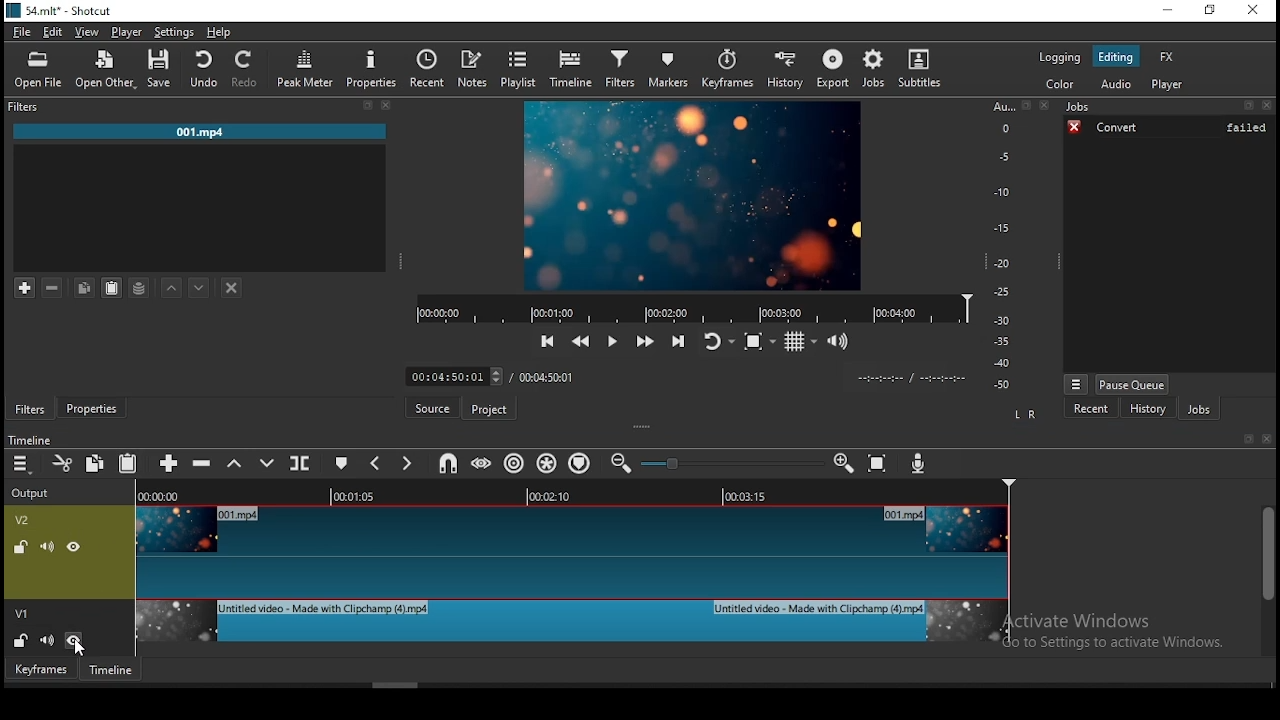 This screenshot has width=1280, height=720. What do you see at coordinates (249, 69) in the screenshot?
I see `redo` at bounding box center [249, 69].